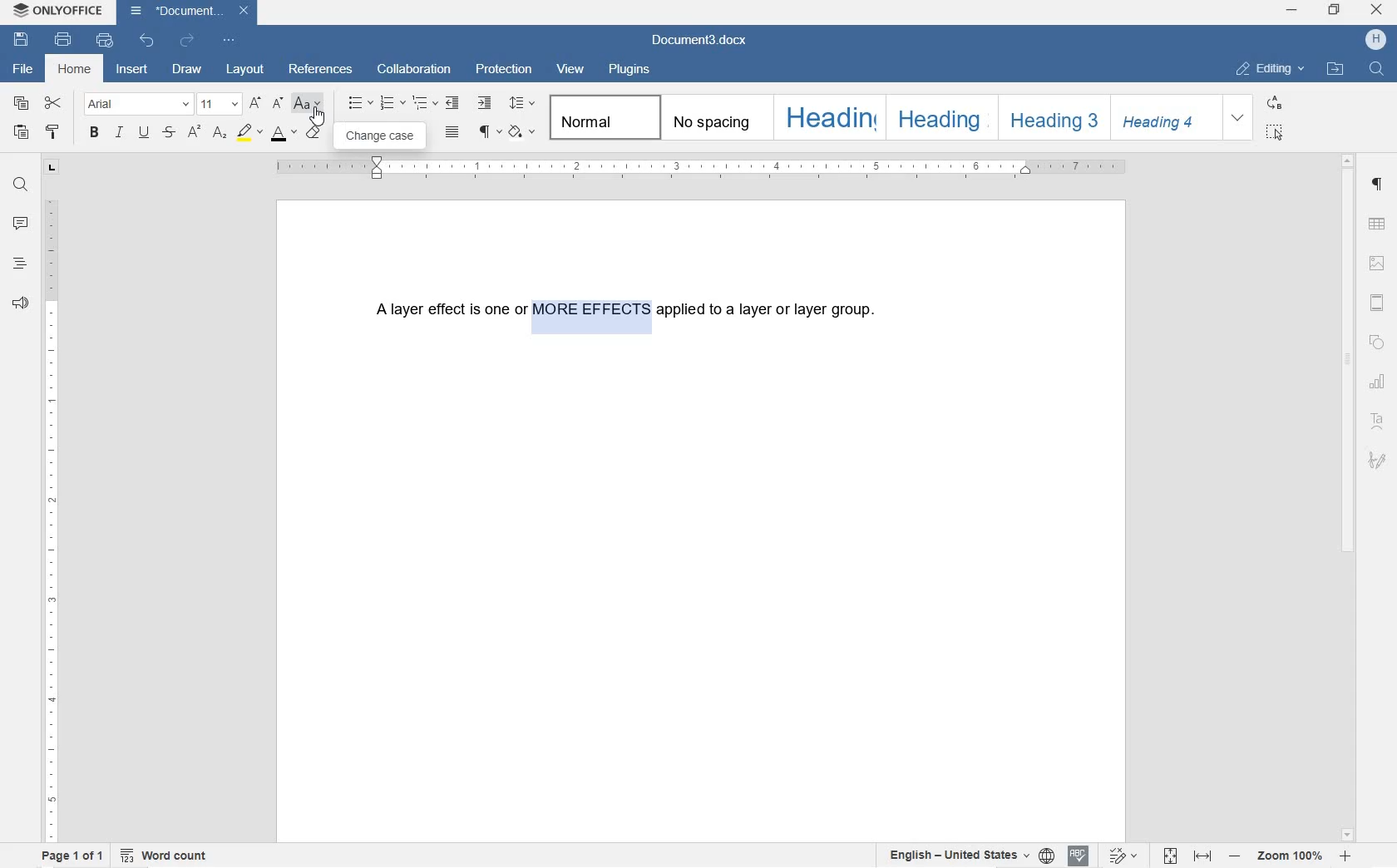 This screenshot has width=1397, height=868. Describe the element at coordinates (1377, 12) in the screenshot. I see `CLOSE` at that location.